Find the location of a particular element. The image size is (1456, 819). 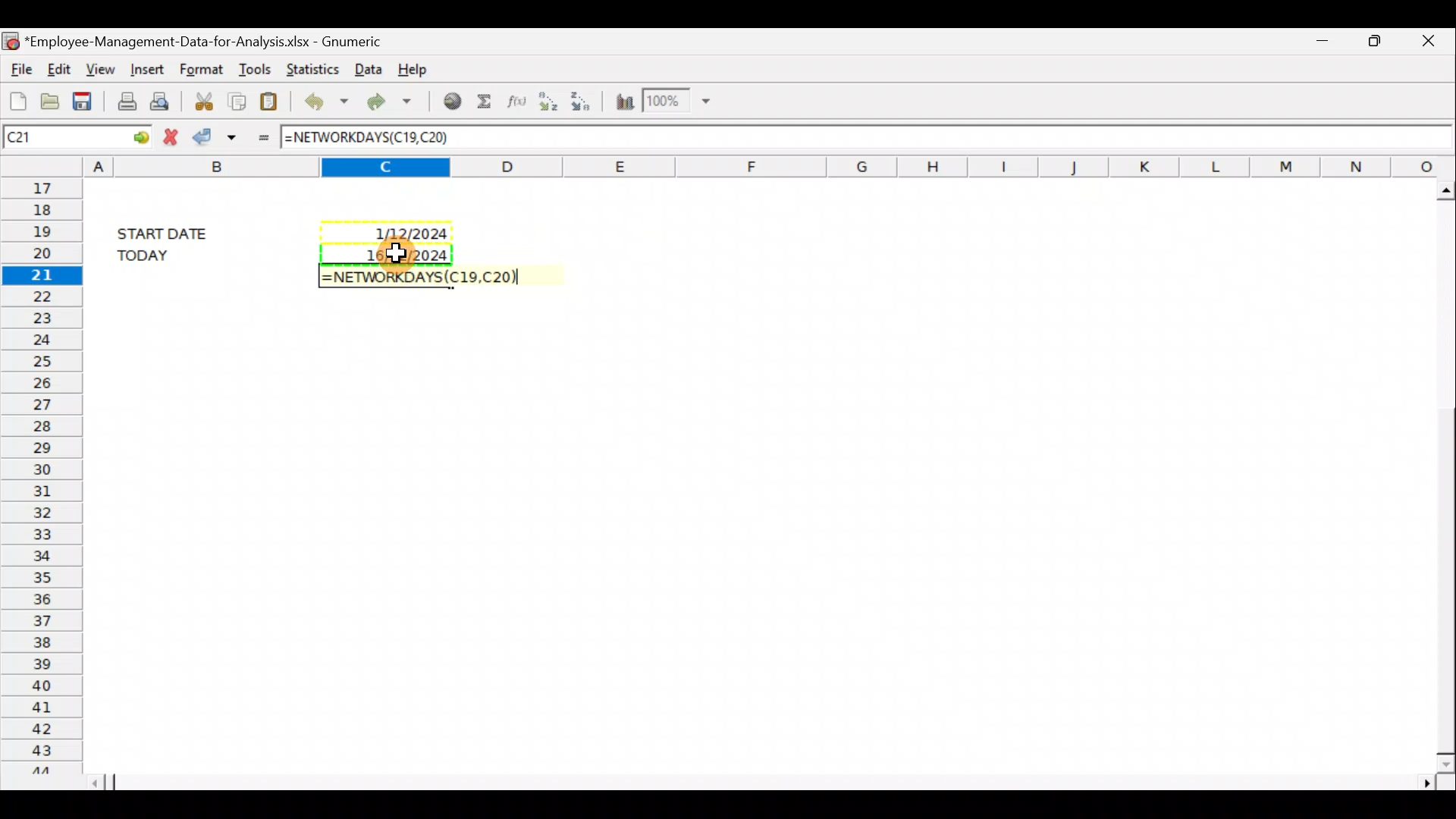

*Employee-Management-Data-for-Analysis.xlsx - Gnumeric is located at coordinates (206, 42).